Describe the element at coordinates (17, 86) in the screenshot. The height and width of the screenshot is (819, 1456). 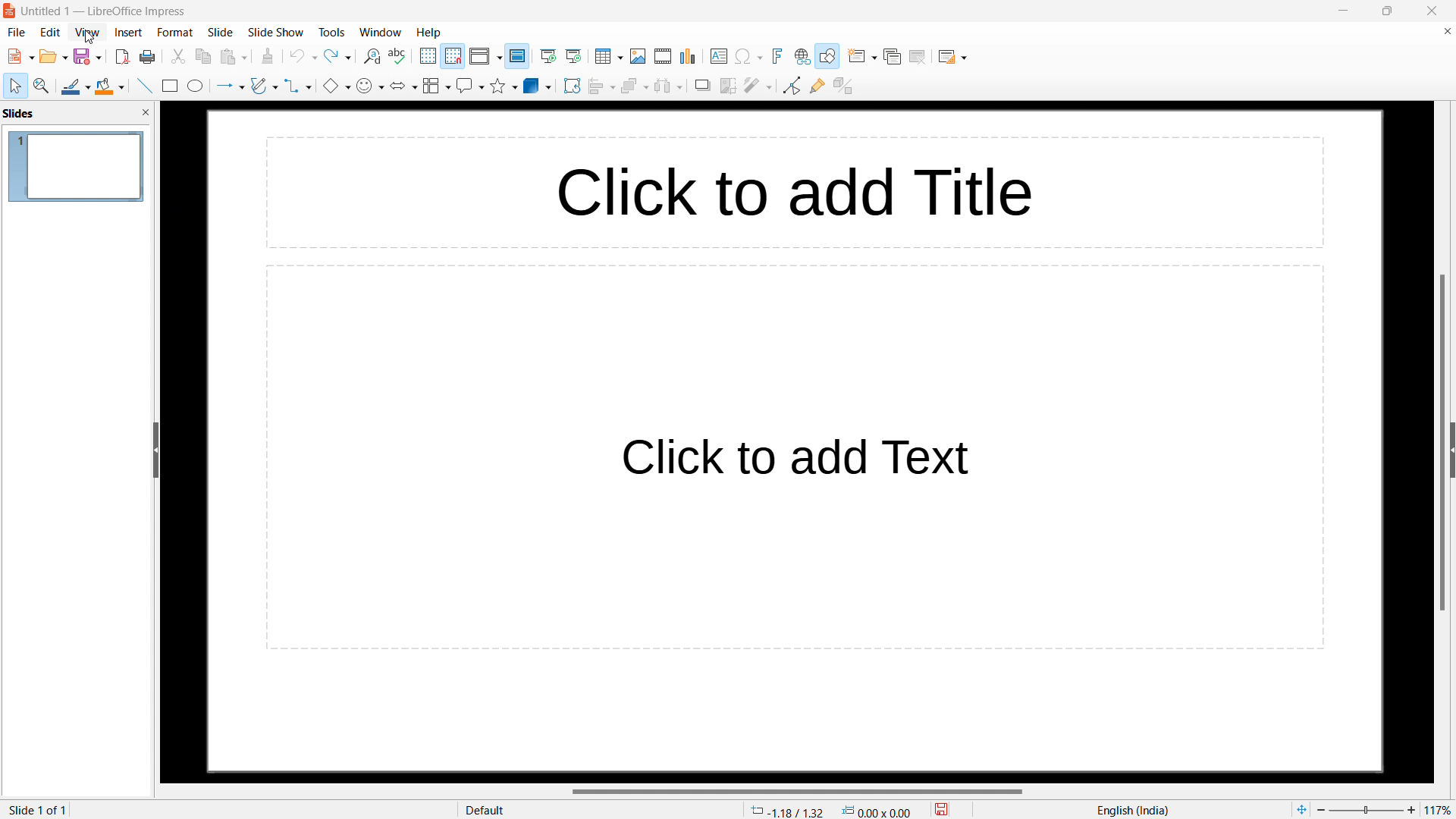
I see `select` at that location.